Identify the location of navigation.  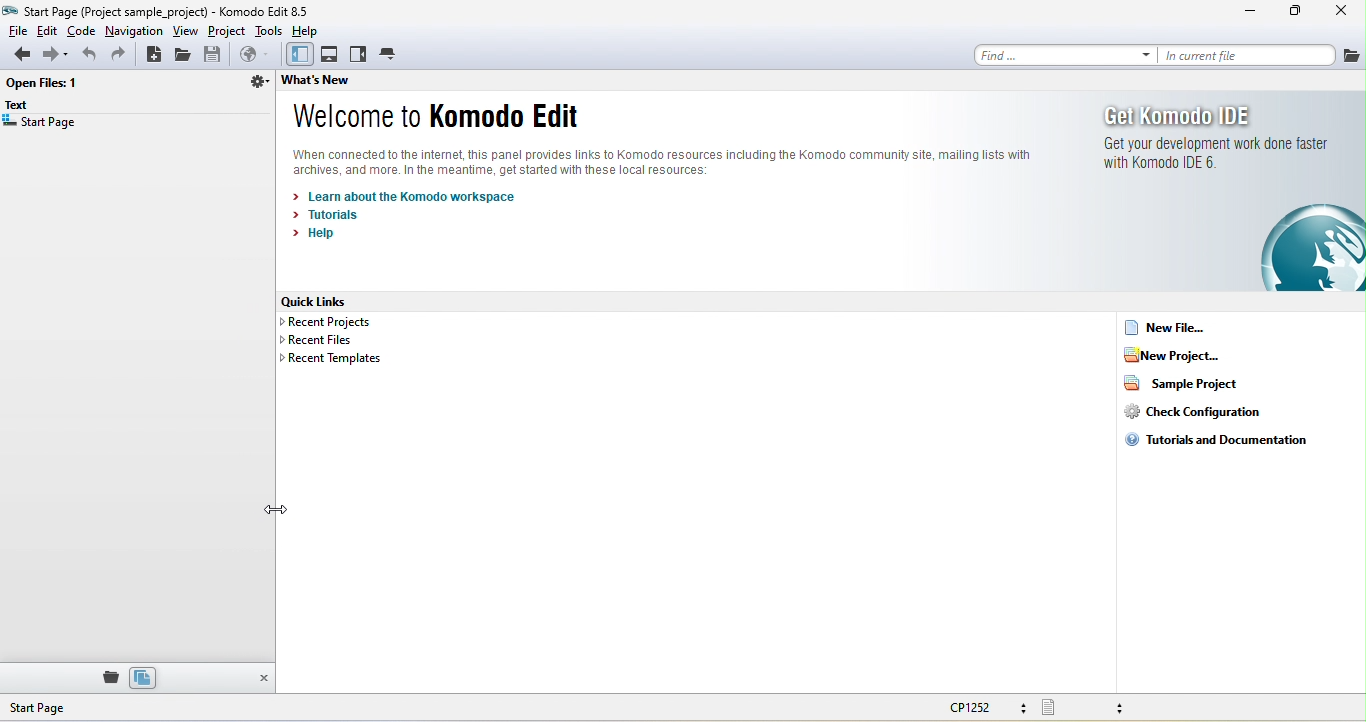
(134, 30).